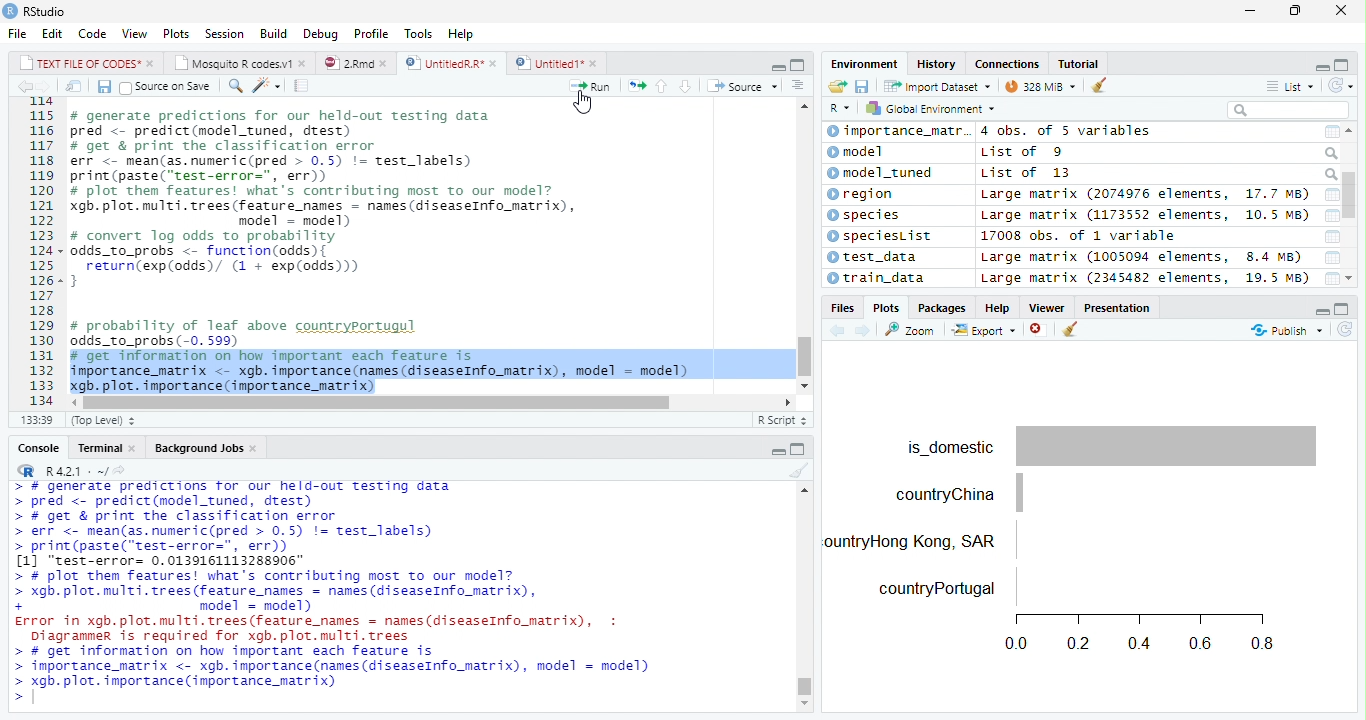 The width and height of the screenshot is (1366, 720). I want to click on Previous, so click(835, 329).